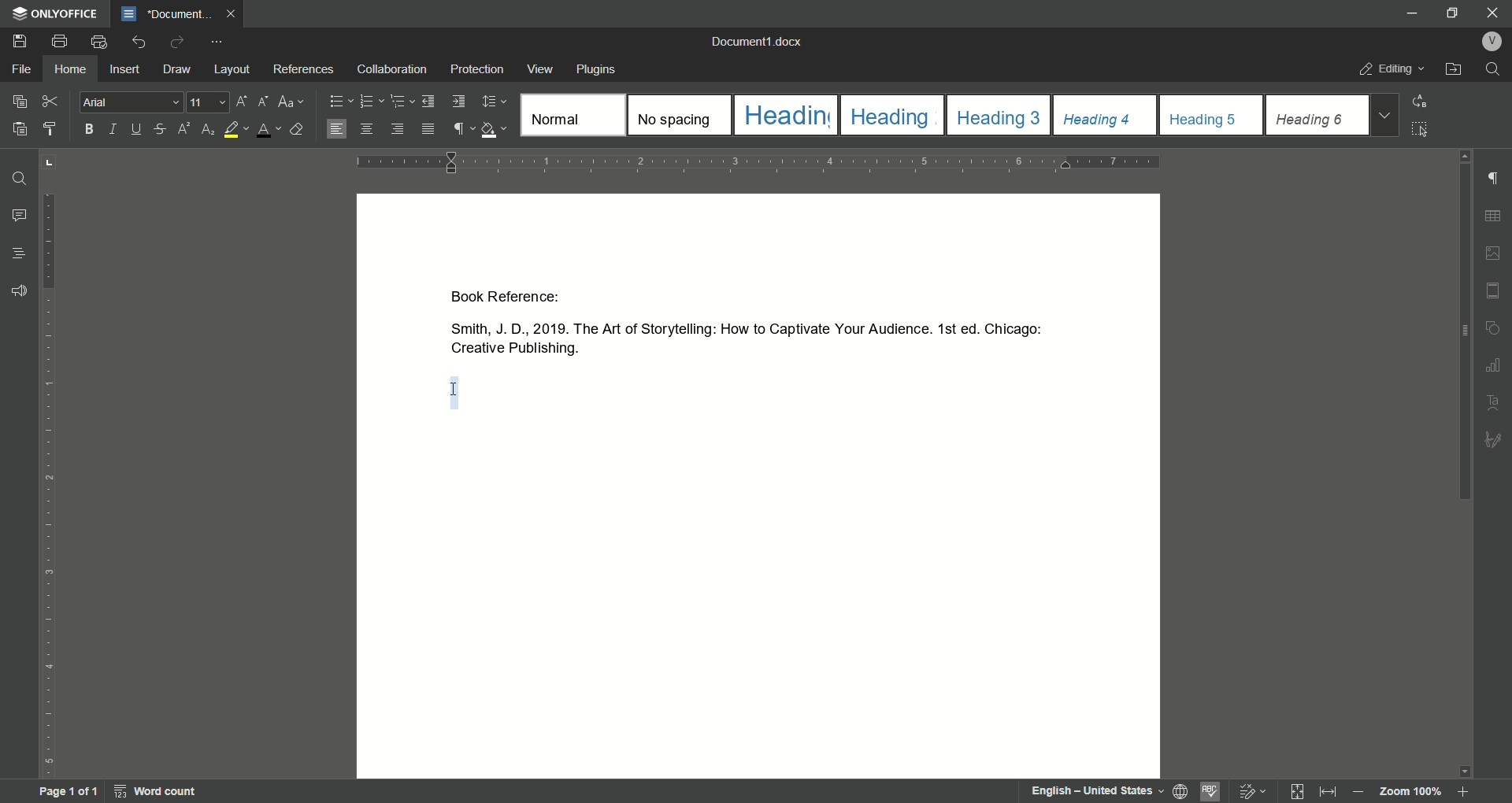  I want to click on font size, so click(210, 102).